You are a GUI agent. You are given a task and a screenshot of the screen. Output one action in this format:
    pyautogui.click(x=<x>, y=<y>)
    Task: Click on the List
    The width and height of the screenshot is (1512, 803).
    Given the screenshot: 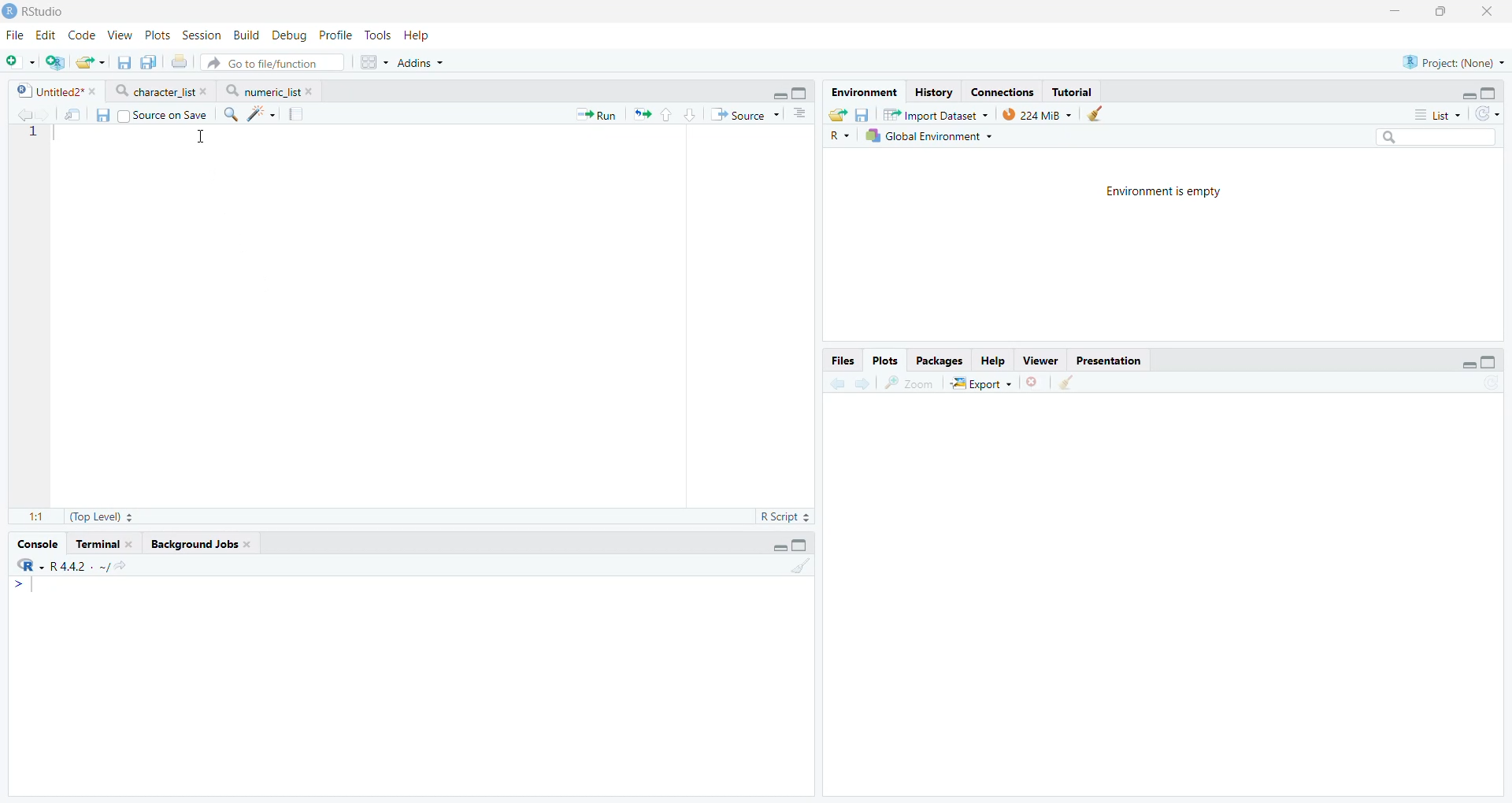 What is the action you would take?
    pyautogui.click(x=1440, y=113)
    